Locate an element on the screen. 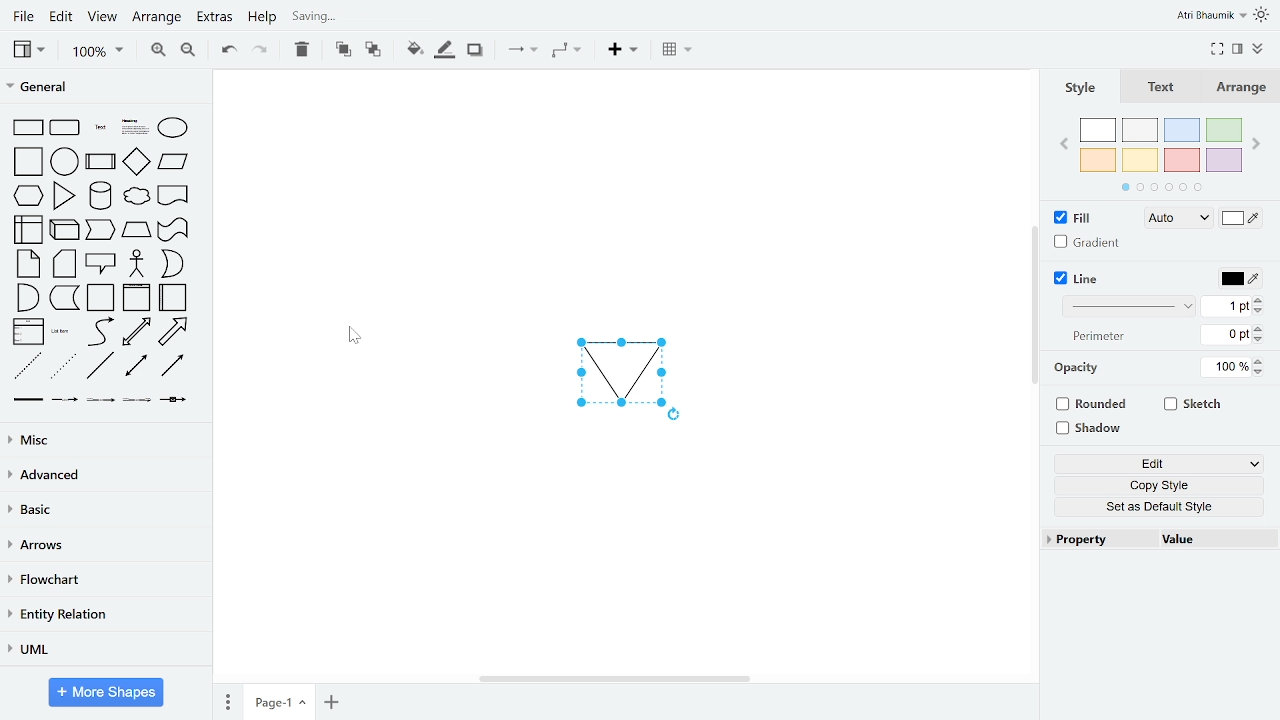 The image size is (1280, 720). undo is located at coordinates (226, 51).